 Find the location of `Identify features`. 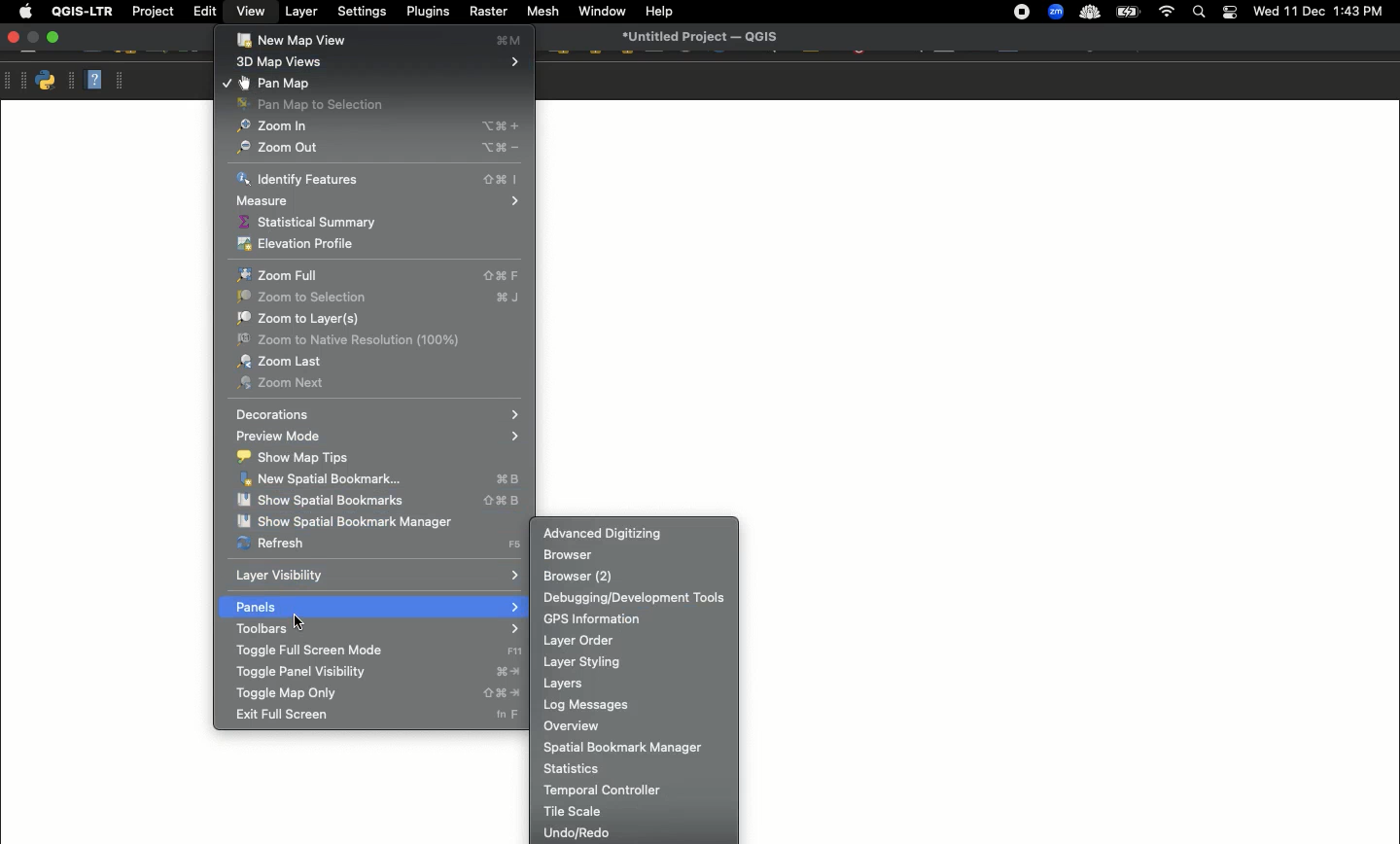

Identify features is located at coordinates (377, 179).